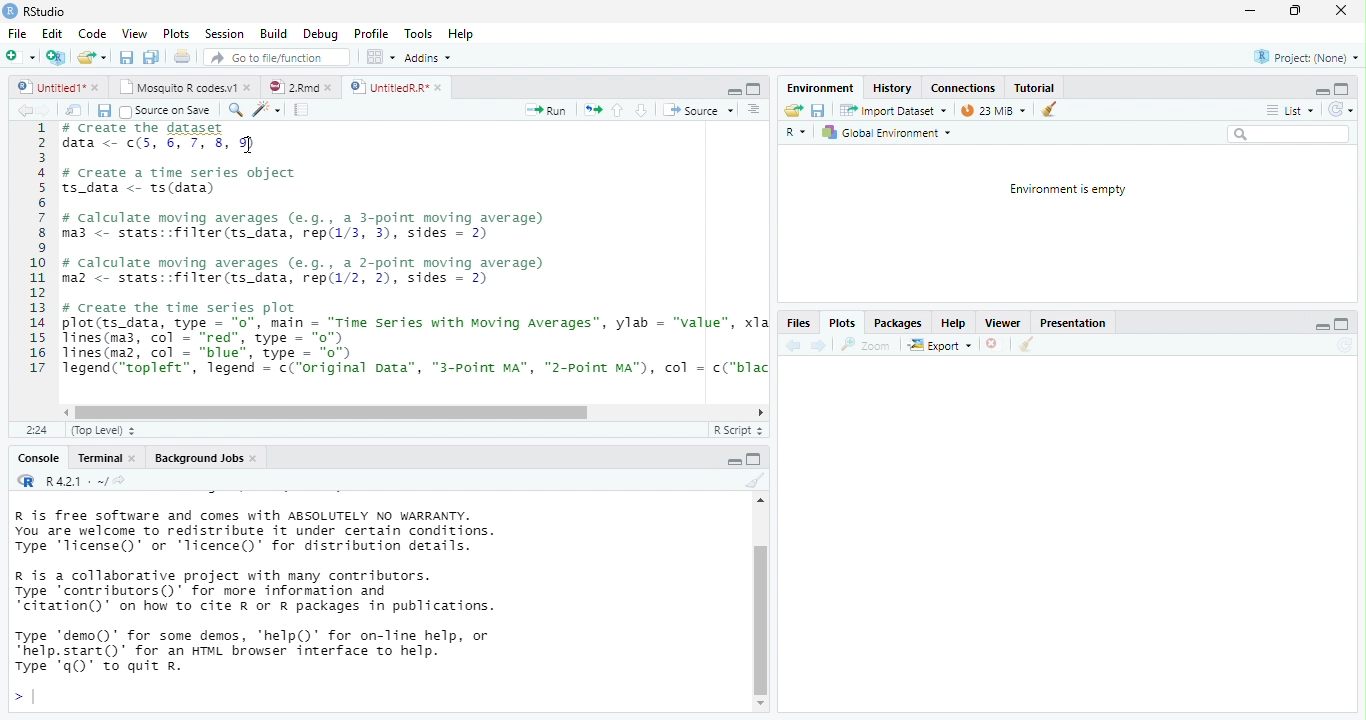 This screenshot has width=1366, height=720. I want to click on save, so click(103, 111).